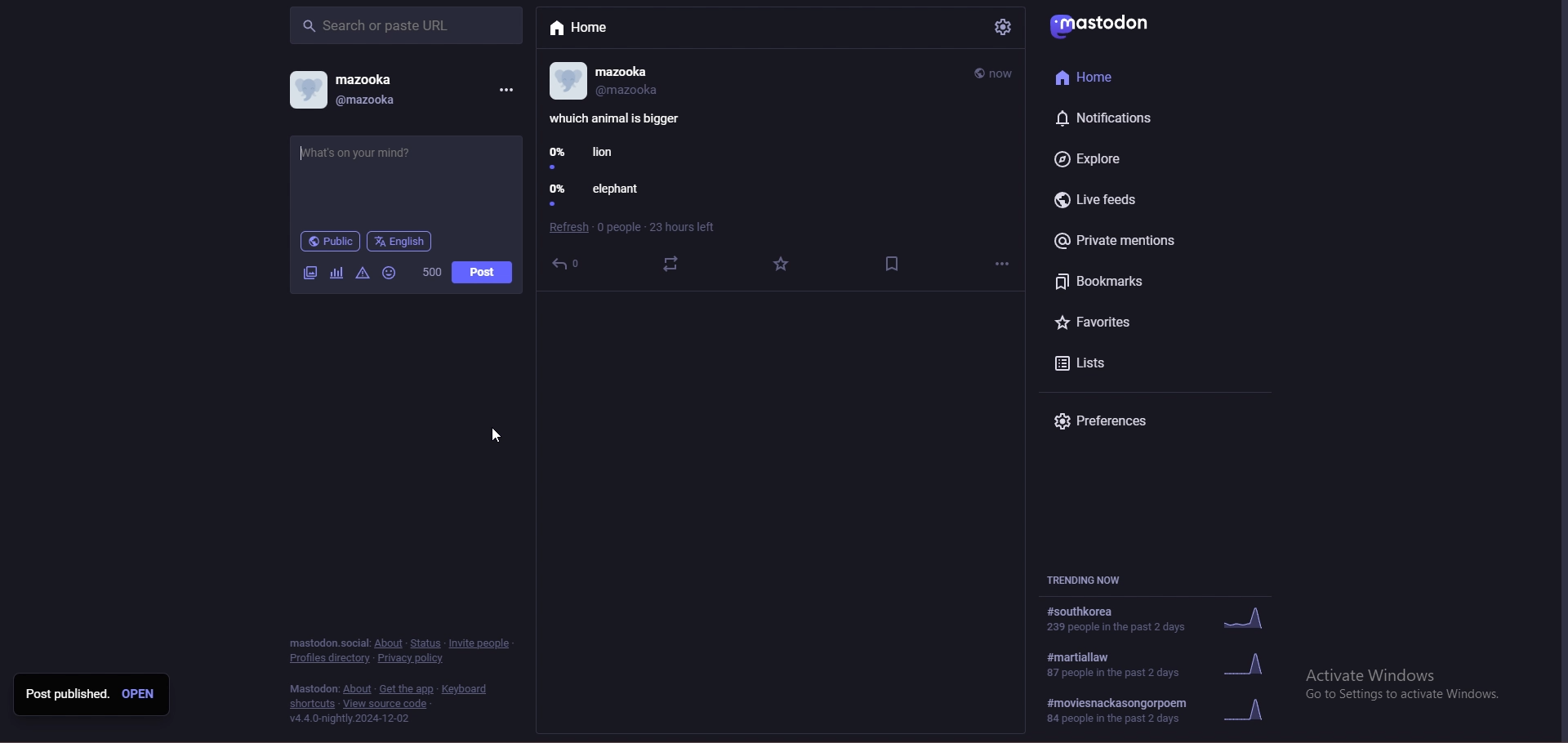 The image size is (1568, 743). Describe the element at coordinates (497, 436) in the screenshot. I see `cursor` at that location.